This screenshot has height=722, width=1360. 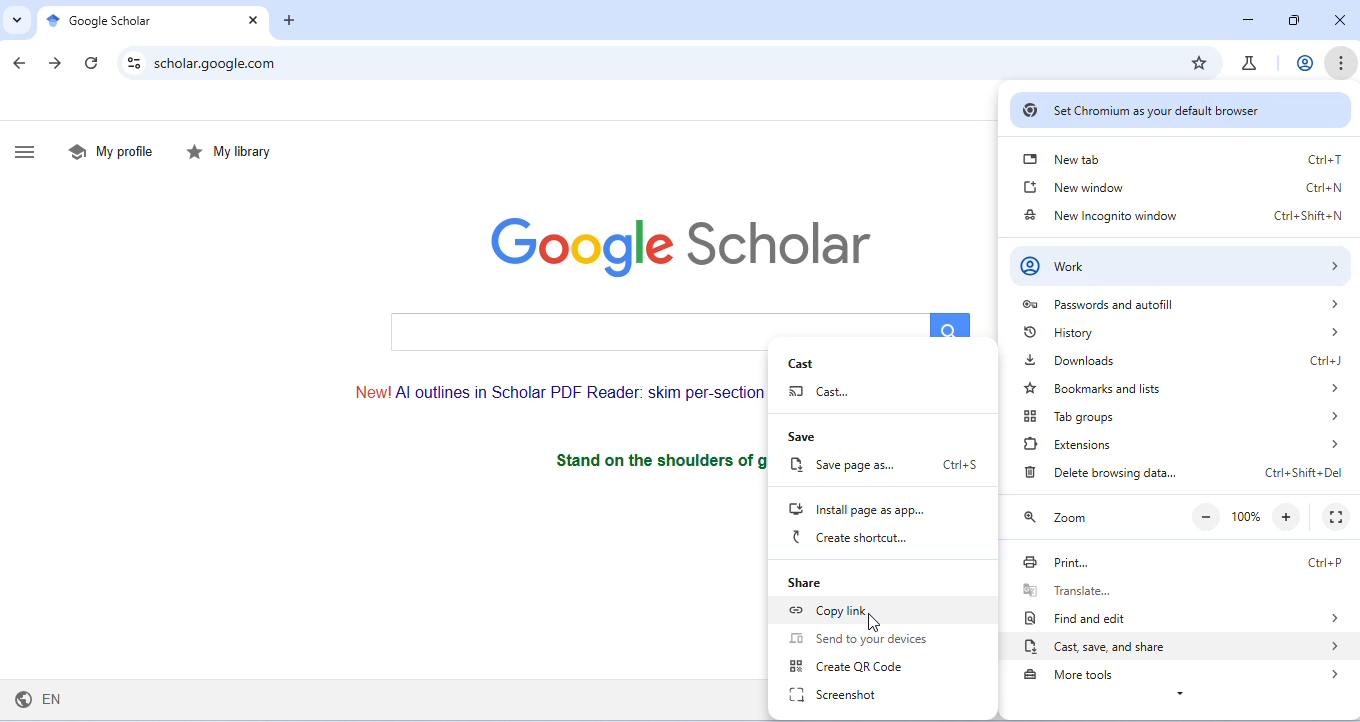 I want to click on work, so click(x=1182, y=267).